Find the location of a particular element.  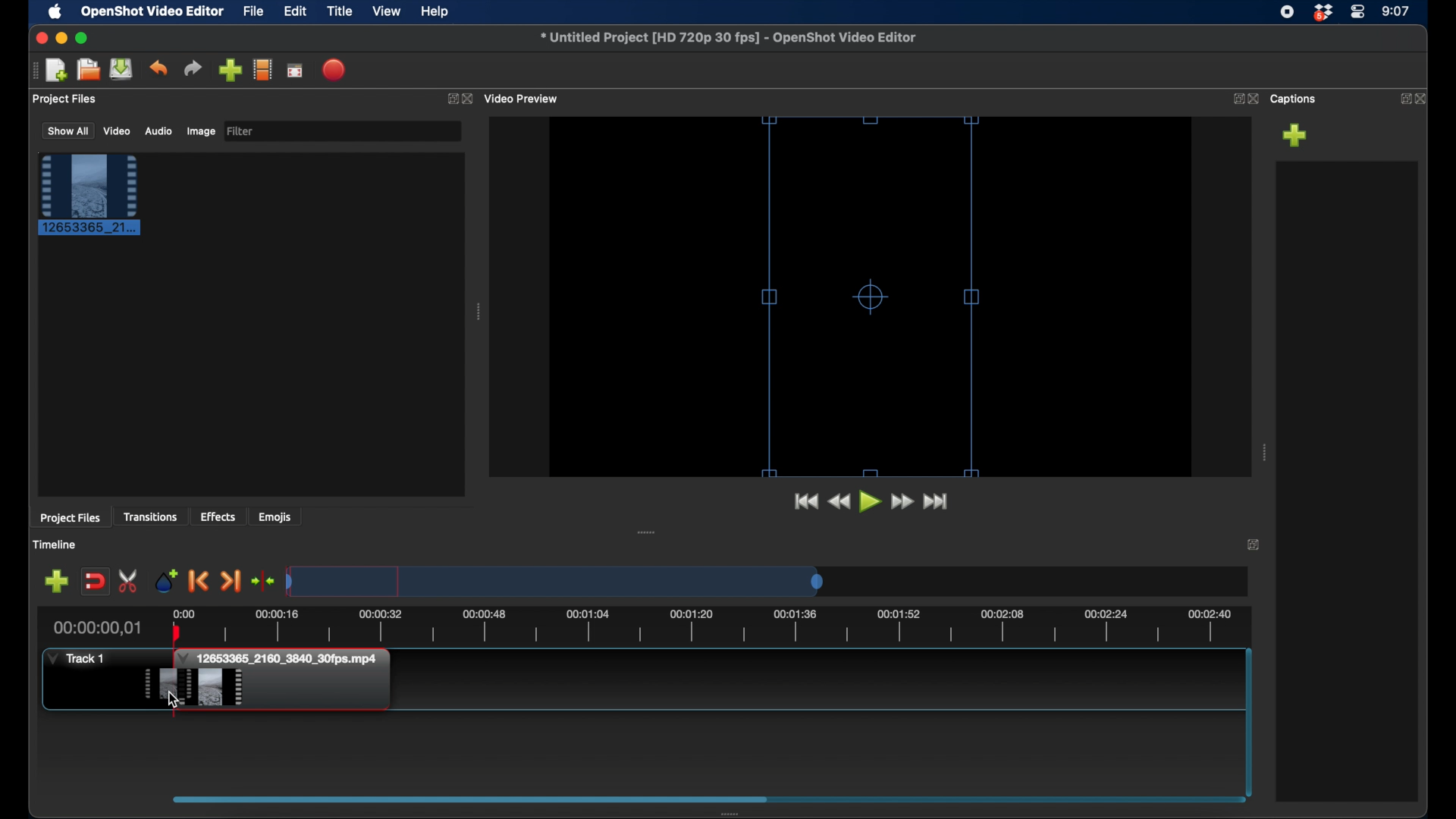

drag handle is located at coordinates (1263, 452).